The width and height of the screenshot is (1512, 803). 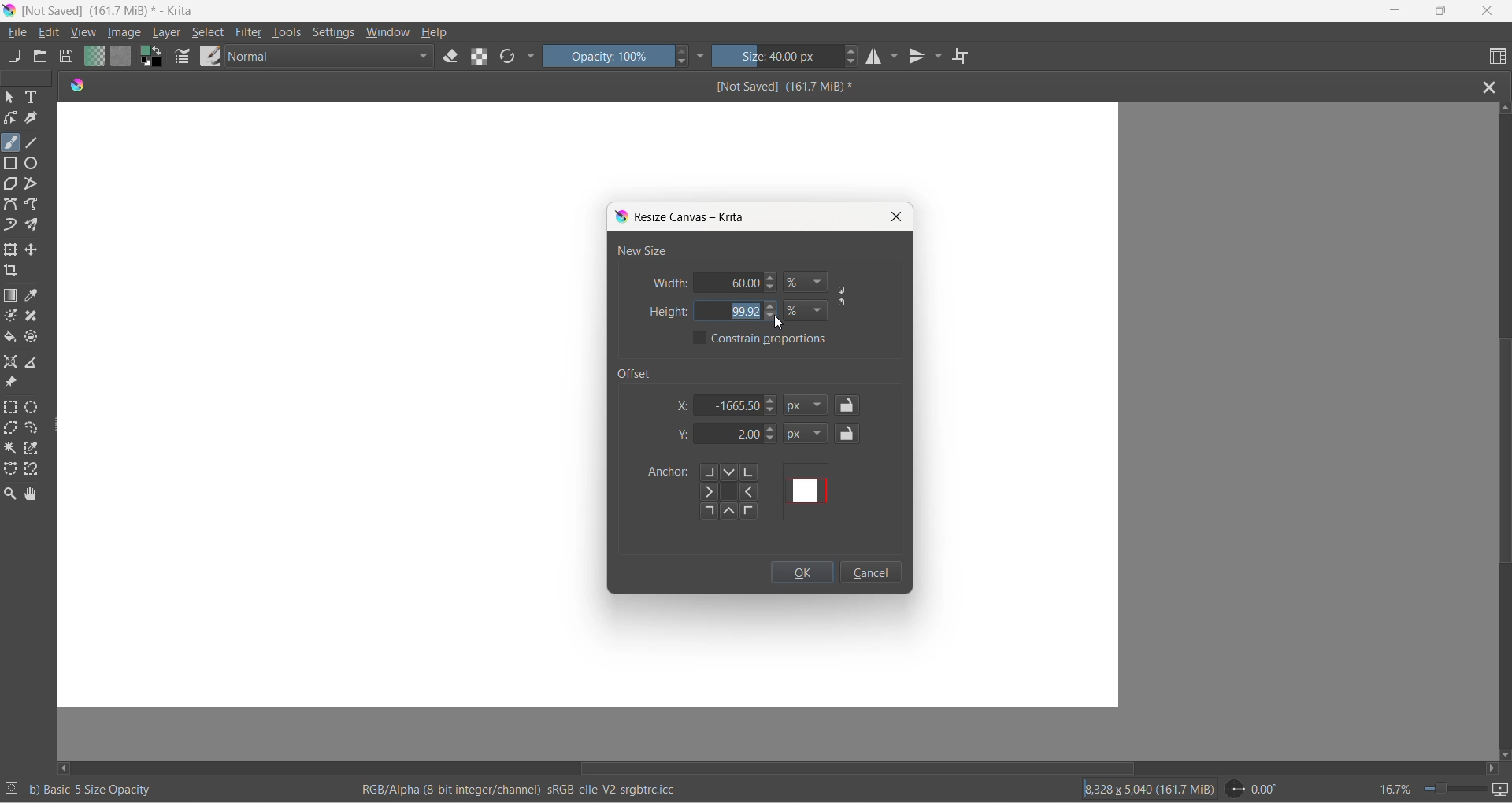 What do you see at coordinates (967, 57) in the screenshot?
I see `wrap around mode` at bounding box center [967, 57].